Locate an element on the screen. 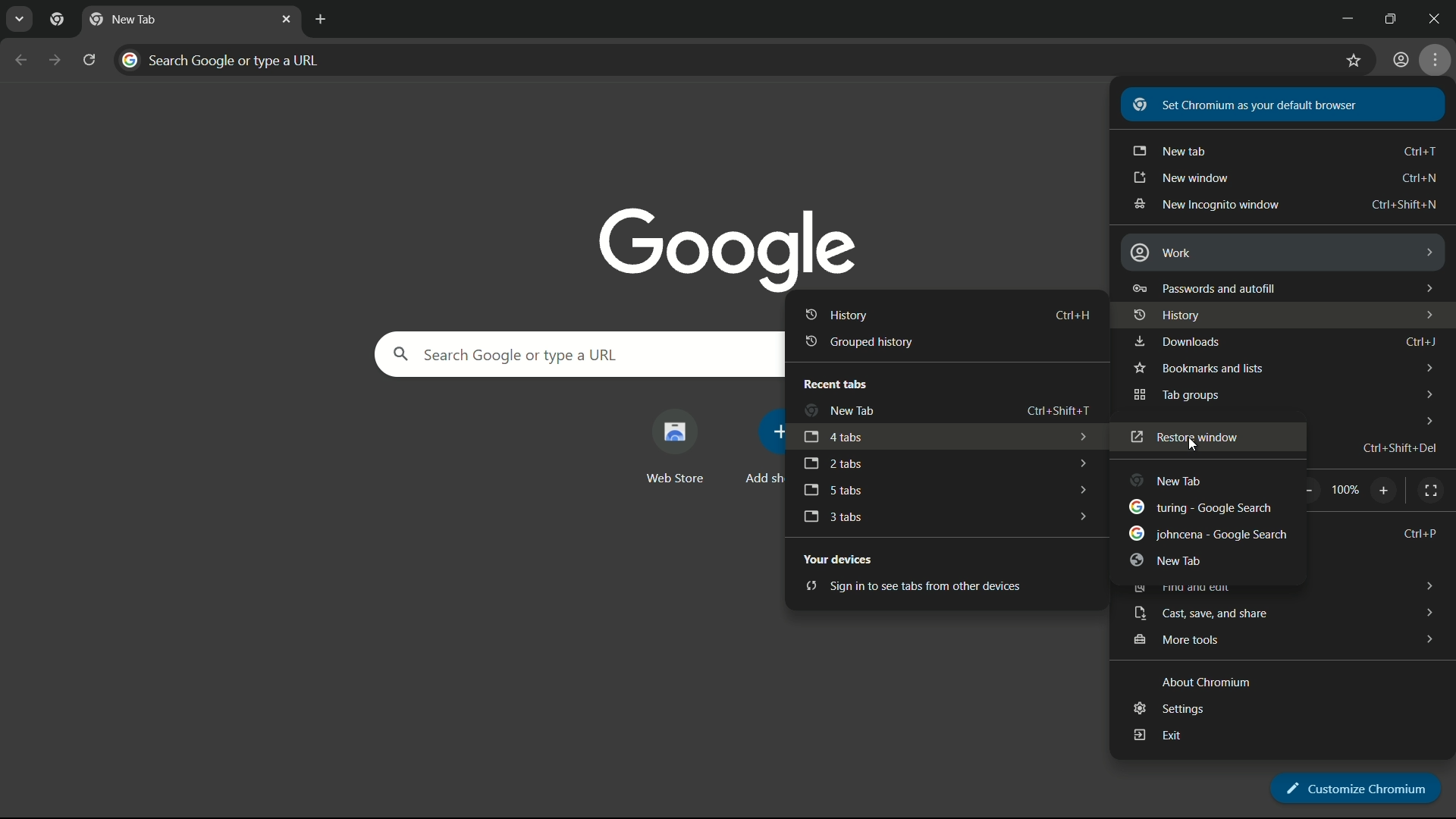  zoom in is located at coordinates (1385, 490).